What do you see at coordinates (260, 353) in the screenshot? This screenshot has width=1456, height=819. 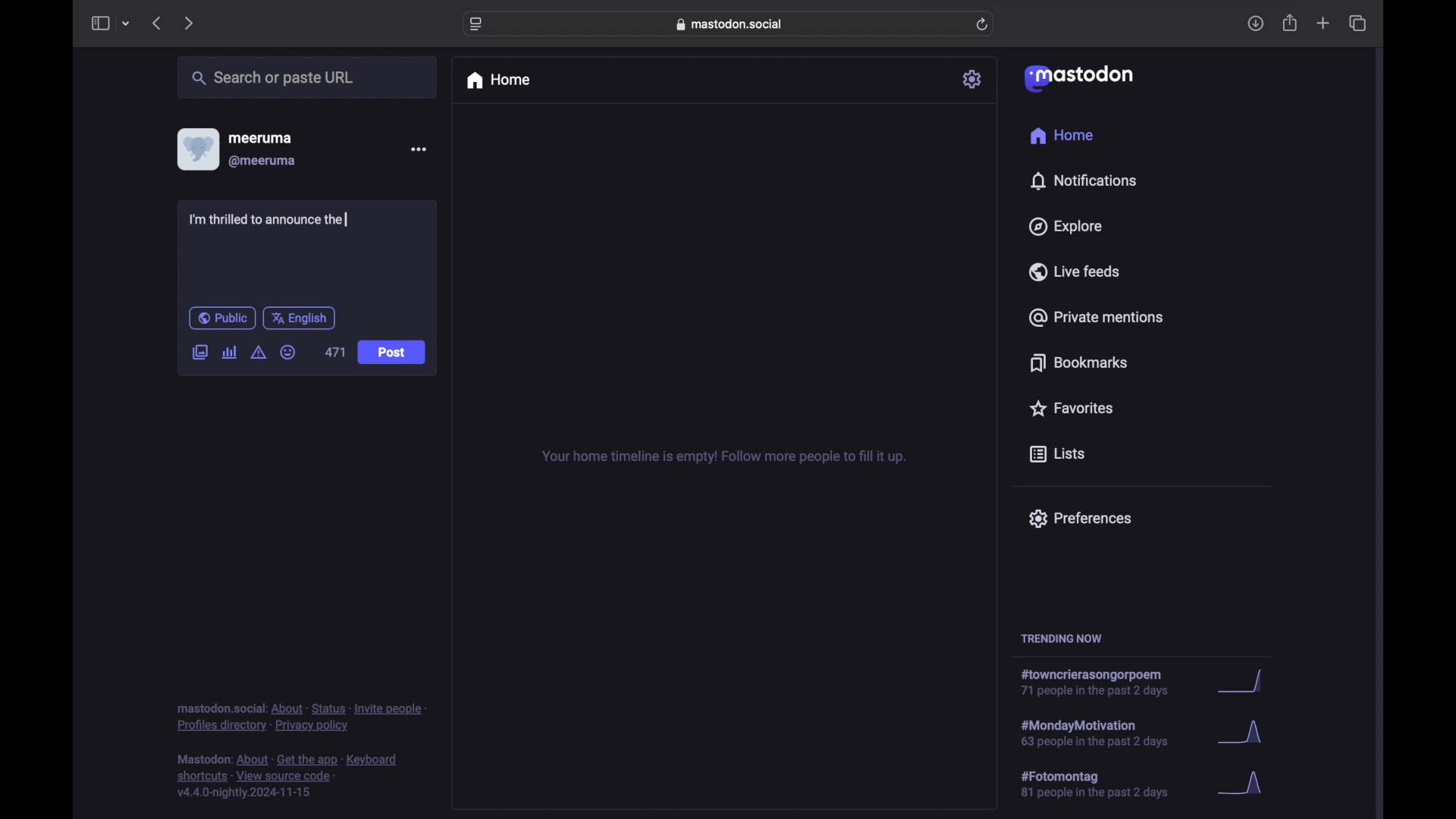 I see `add content warning` at bounding box center [260, 353].